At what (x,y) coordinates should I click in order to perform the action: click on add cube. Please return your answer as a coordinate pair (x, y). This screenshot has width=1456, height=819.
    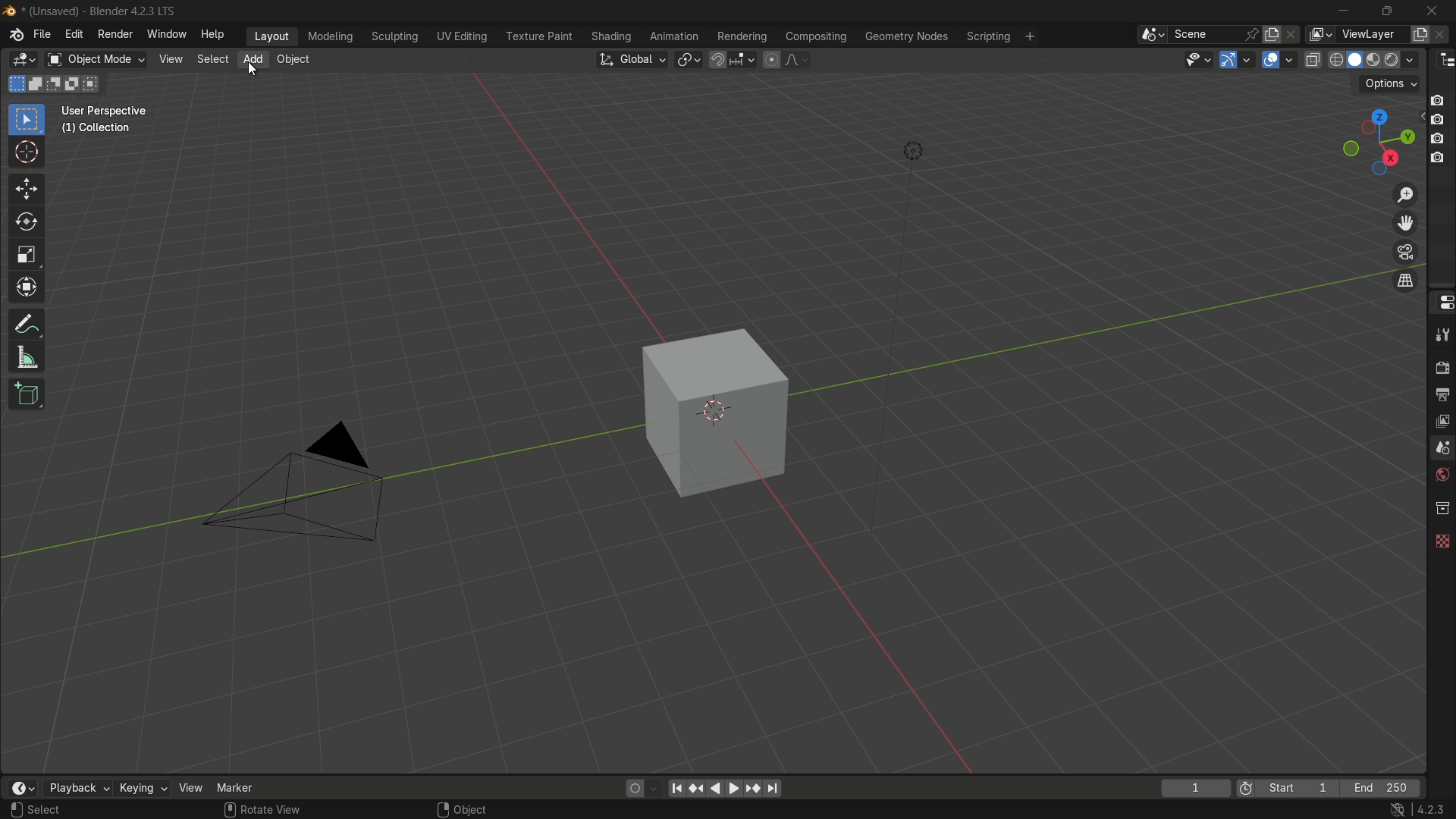
    Looking at the image, I should click on (26, 395).